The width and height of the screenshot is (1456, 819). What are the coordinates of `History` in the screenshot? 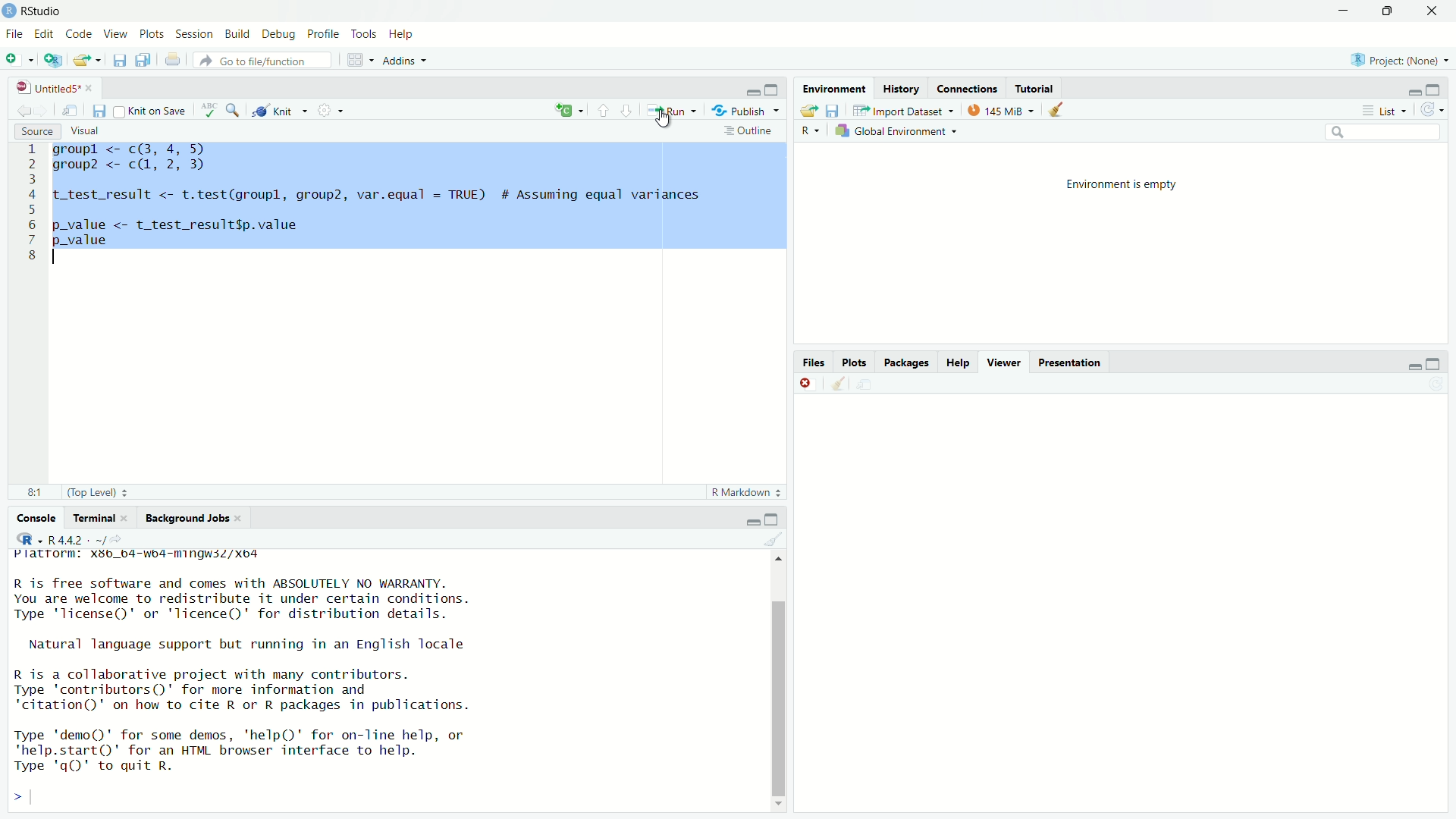 It's located at (900, 87).